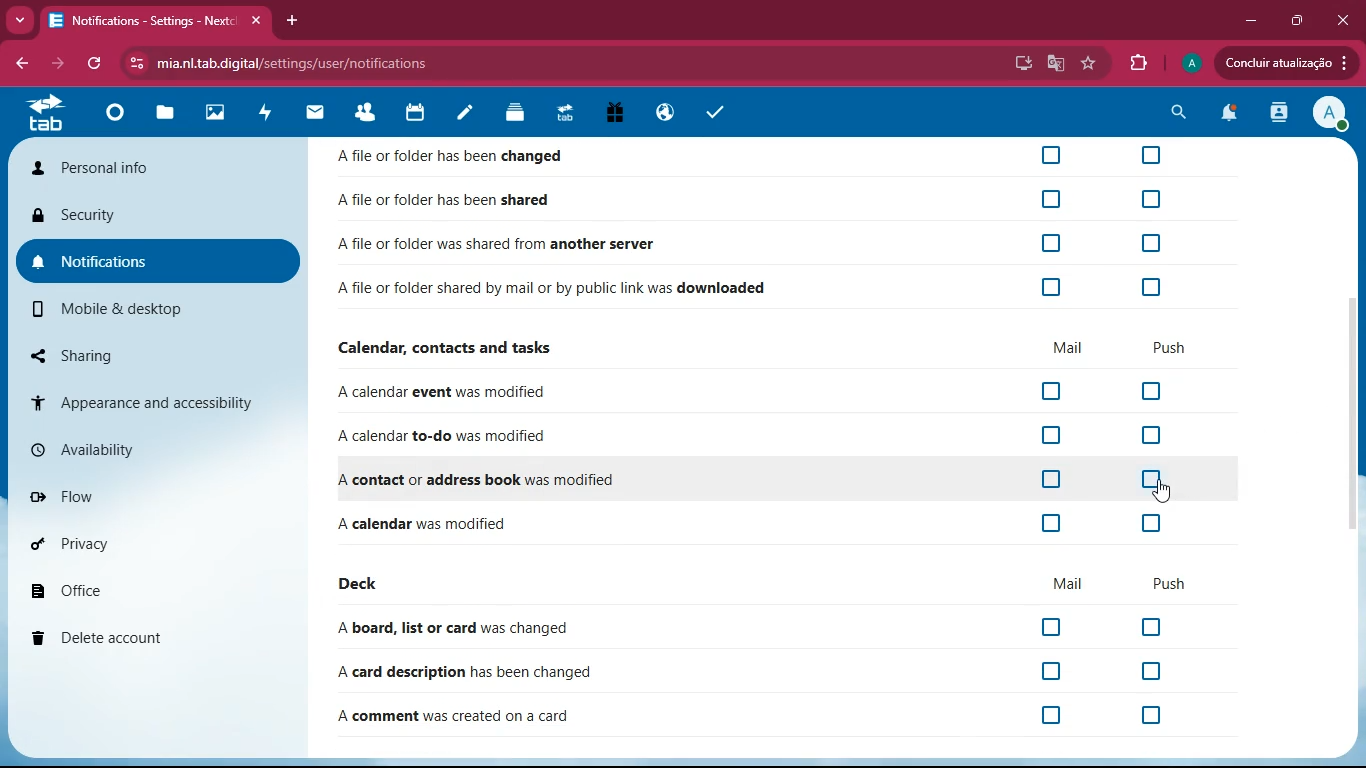 This screenshot has width=1366, height=768. I want to click on office, so click(143, 585).